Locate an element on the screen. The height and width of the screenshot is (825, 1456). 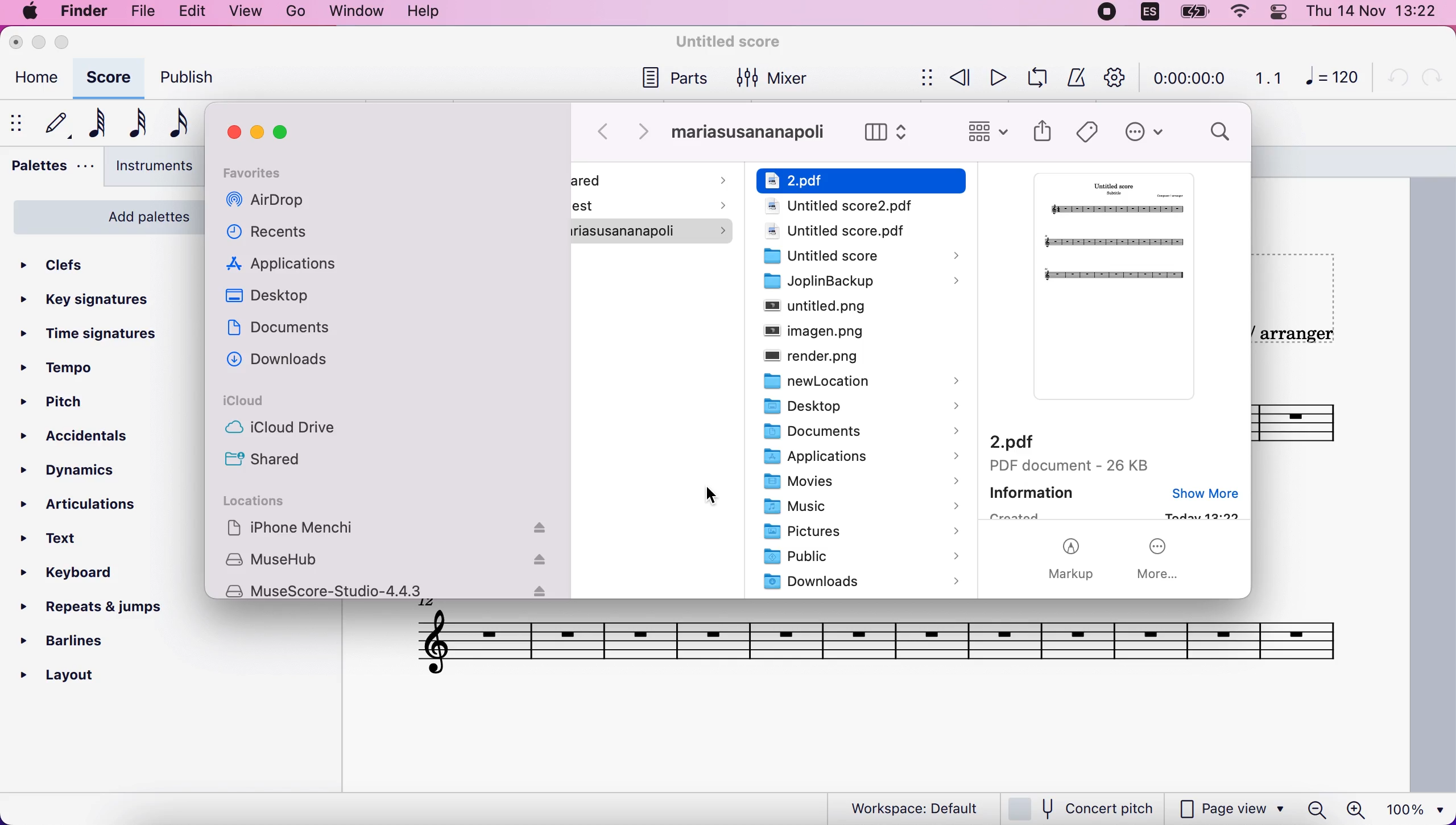
pdf document is located at coordinates (1073, 452).